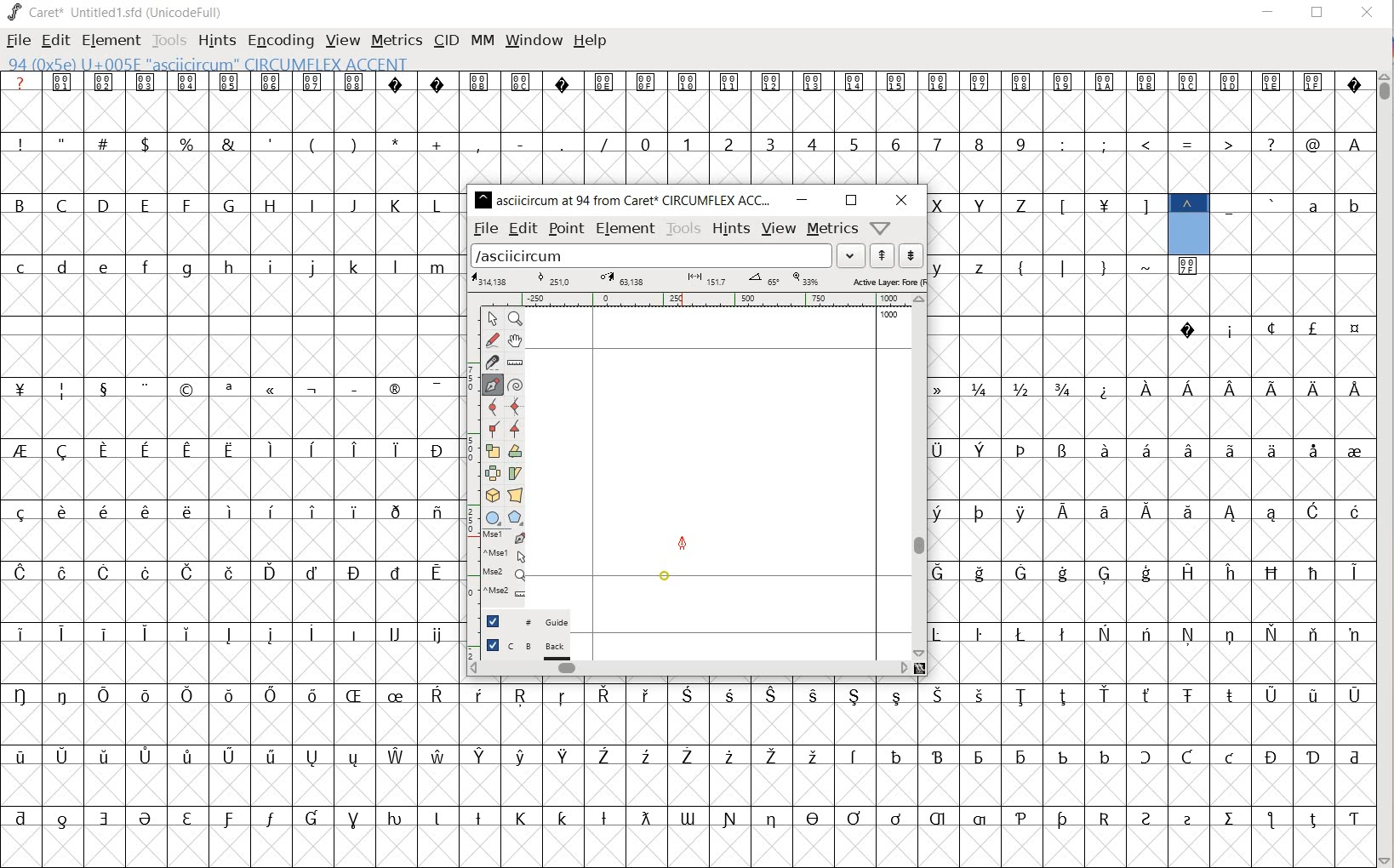 Image resolution: width=1394 pixels, height=868 pixels. What do you see at coordinates (667, 257) in the screenshot?
I see `load word list` at bounding box center [667, 257].